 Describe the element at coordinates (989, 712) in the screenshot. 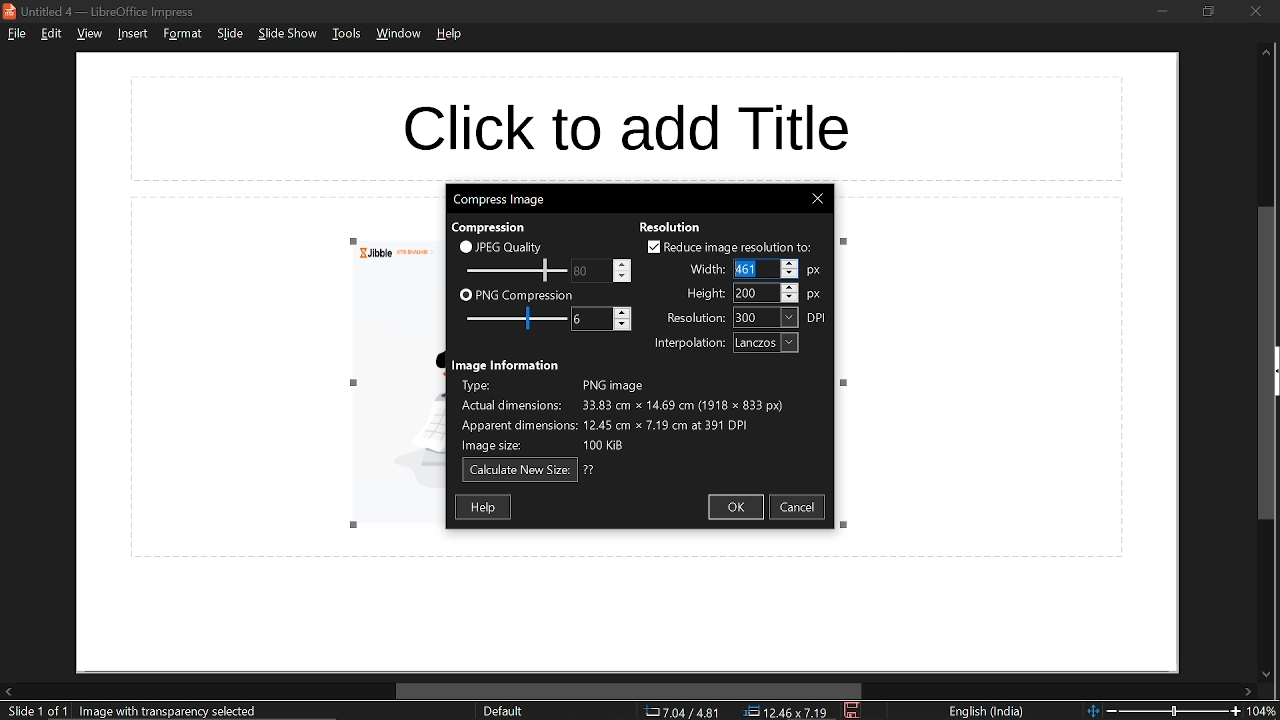

I see `language` at that location.